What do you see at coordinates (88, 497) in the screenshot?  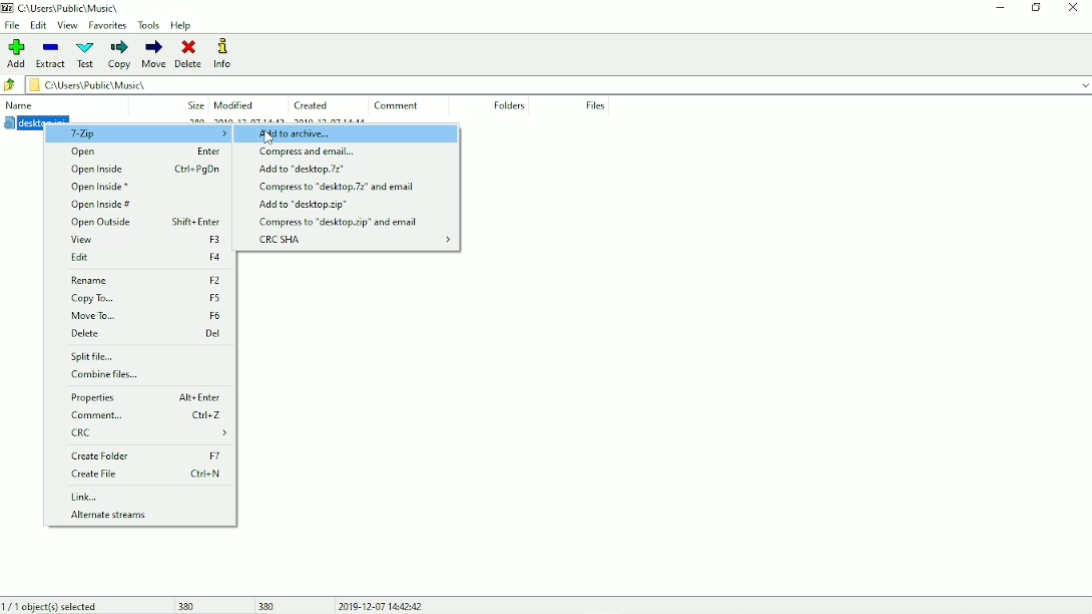 I see `Link` at bounding box center [88, 497].